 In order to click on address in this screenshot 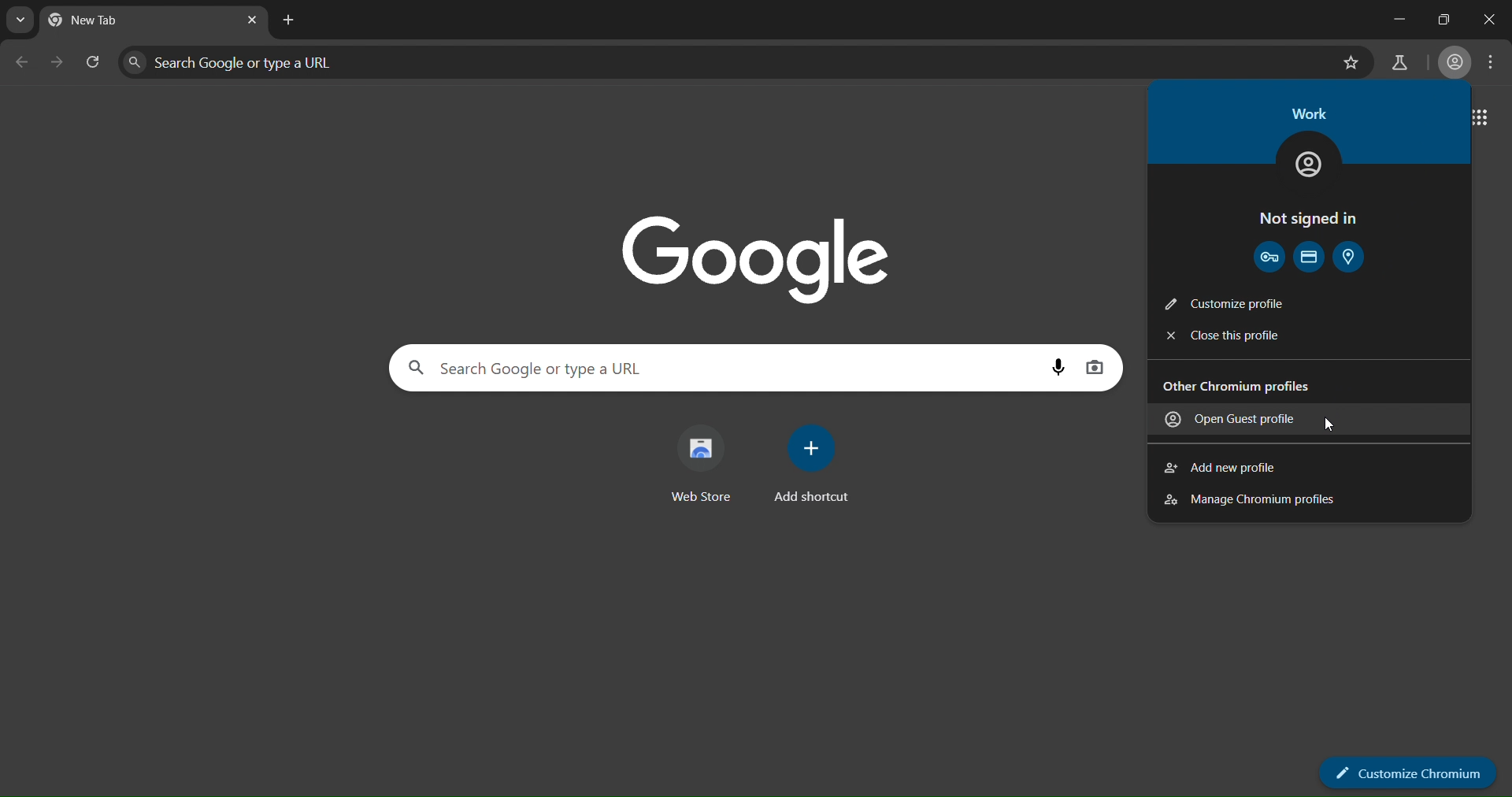, I will do `click(1352, 255)`.